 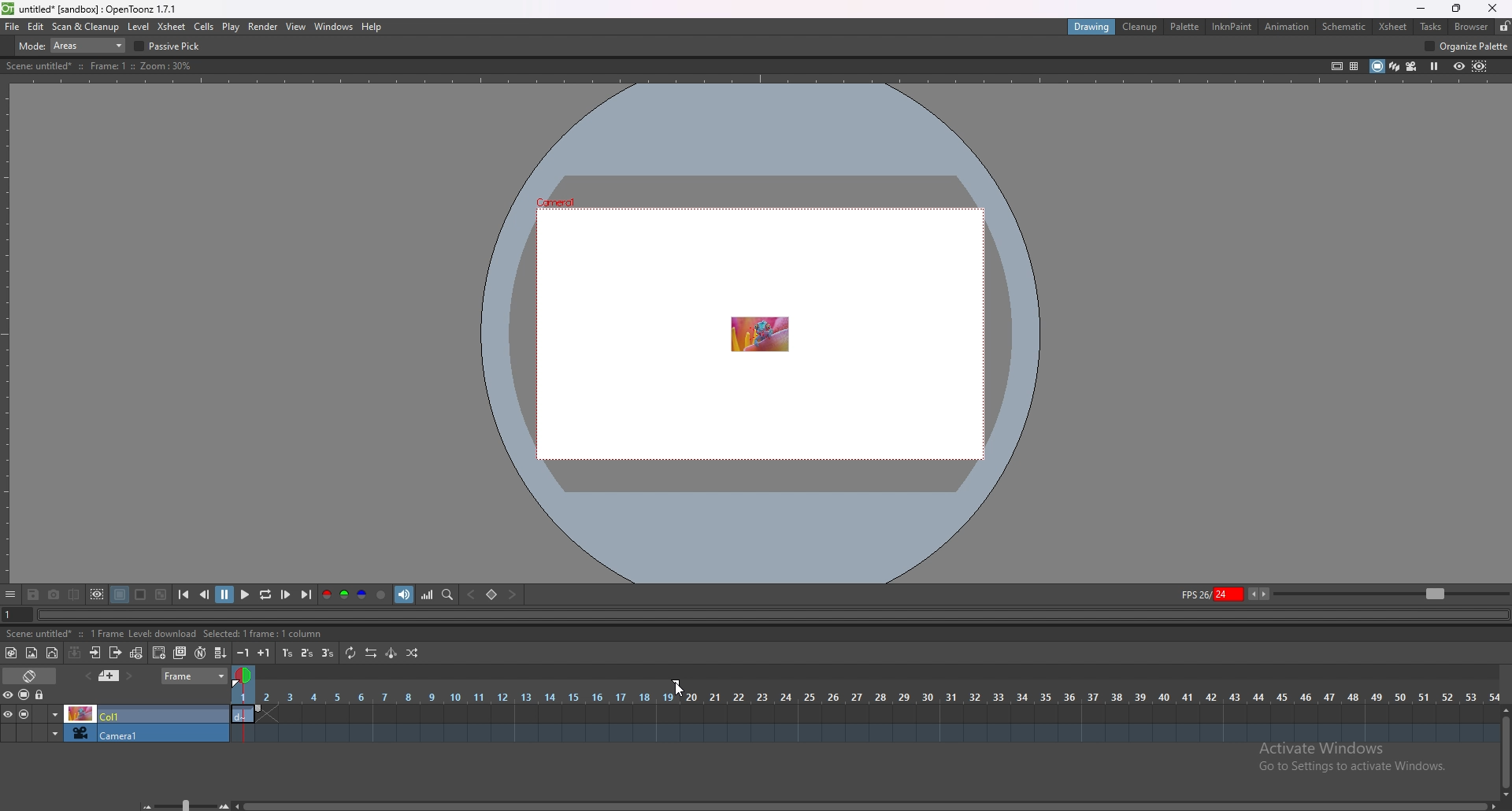 I want to click on seek, so click(x=770, y=616).